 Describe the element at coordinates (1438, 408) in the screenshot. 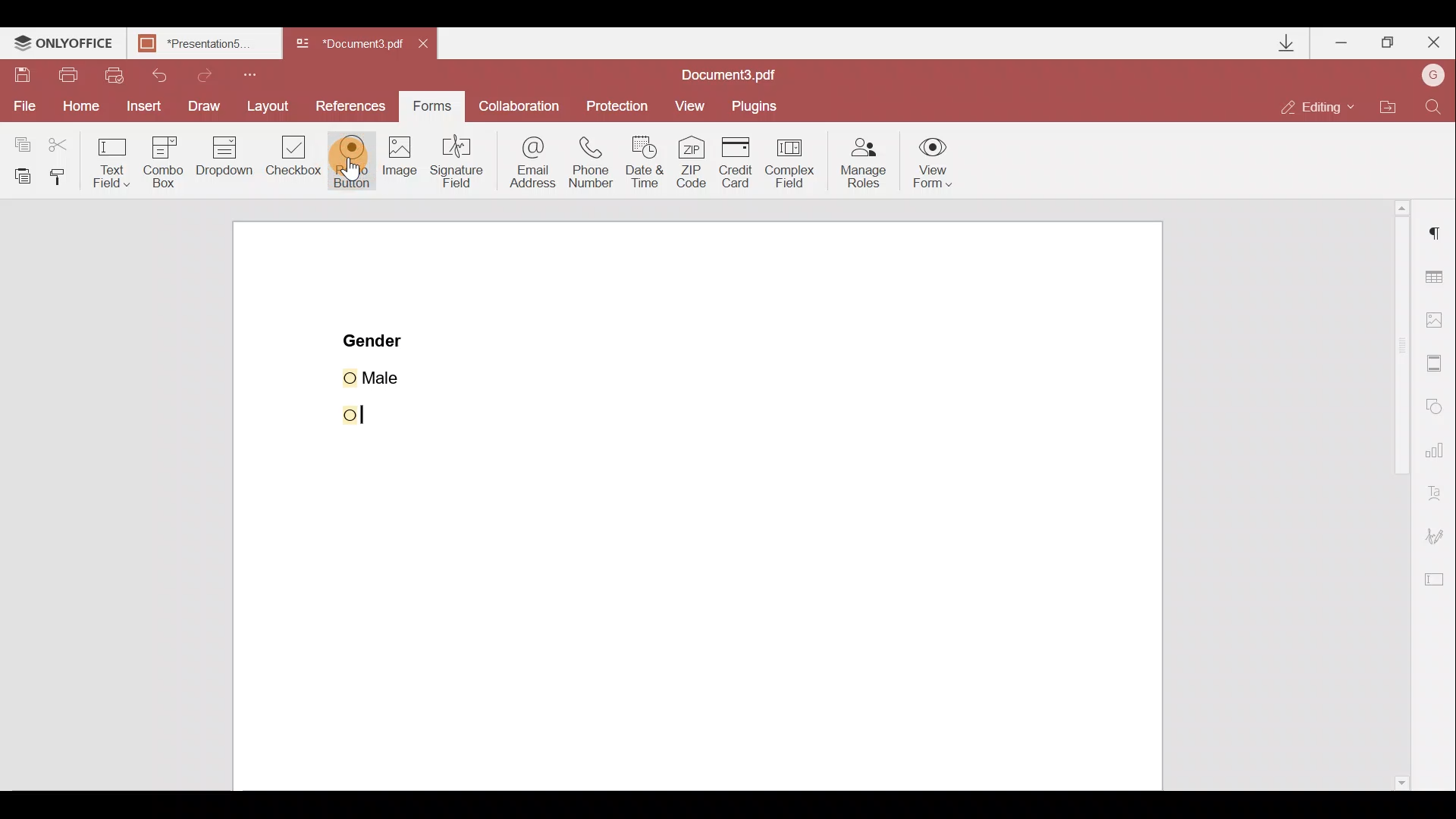

I see `Shapes settings` at that location.